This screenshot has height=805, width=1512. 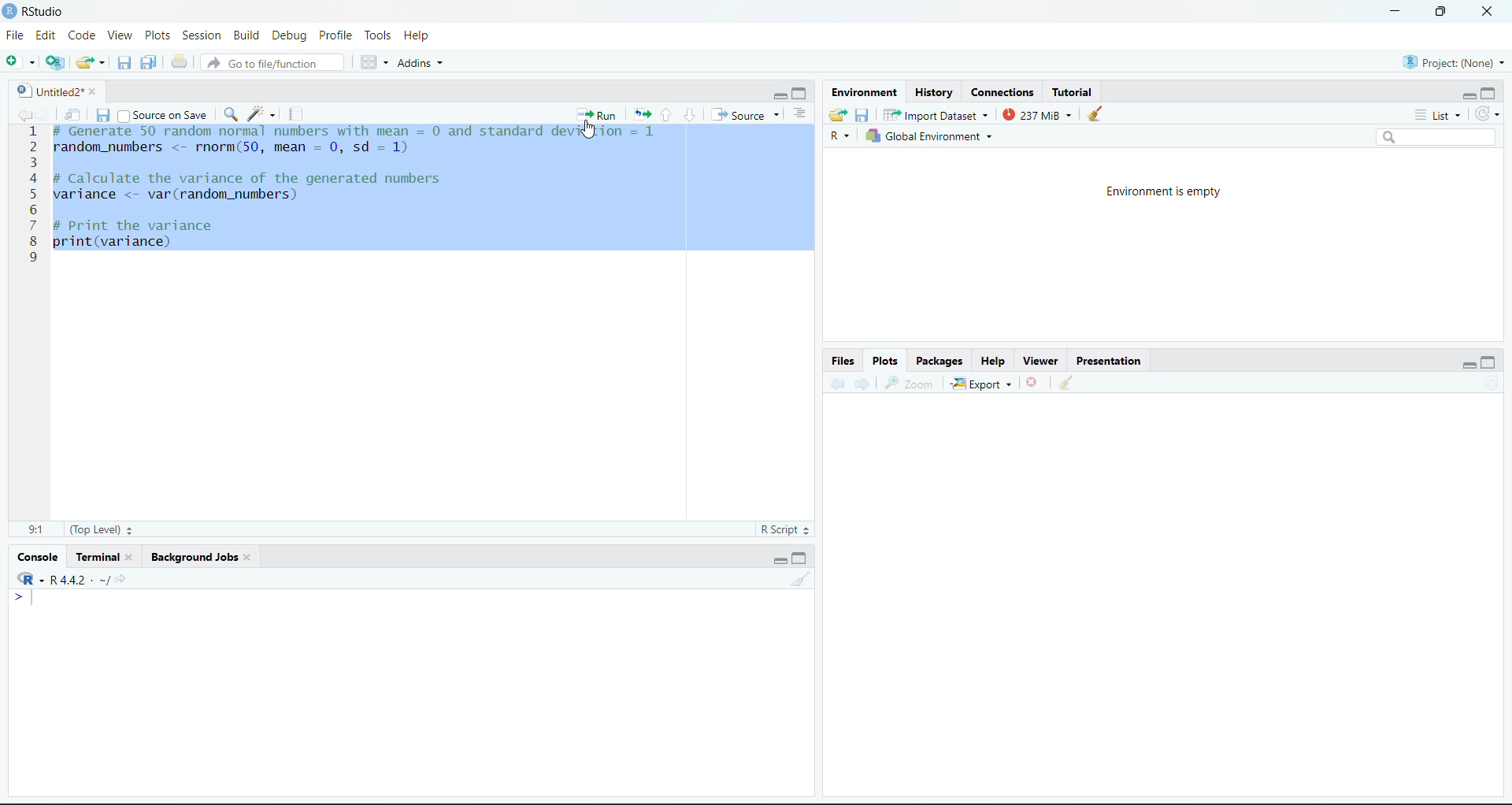 I want to click on back, so click(x=22, y=114).